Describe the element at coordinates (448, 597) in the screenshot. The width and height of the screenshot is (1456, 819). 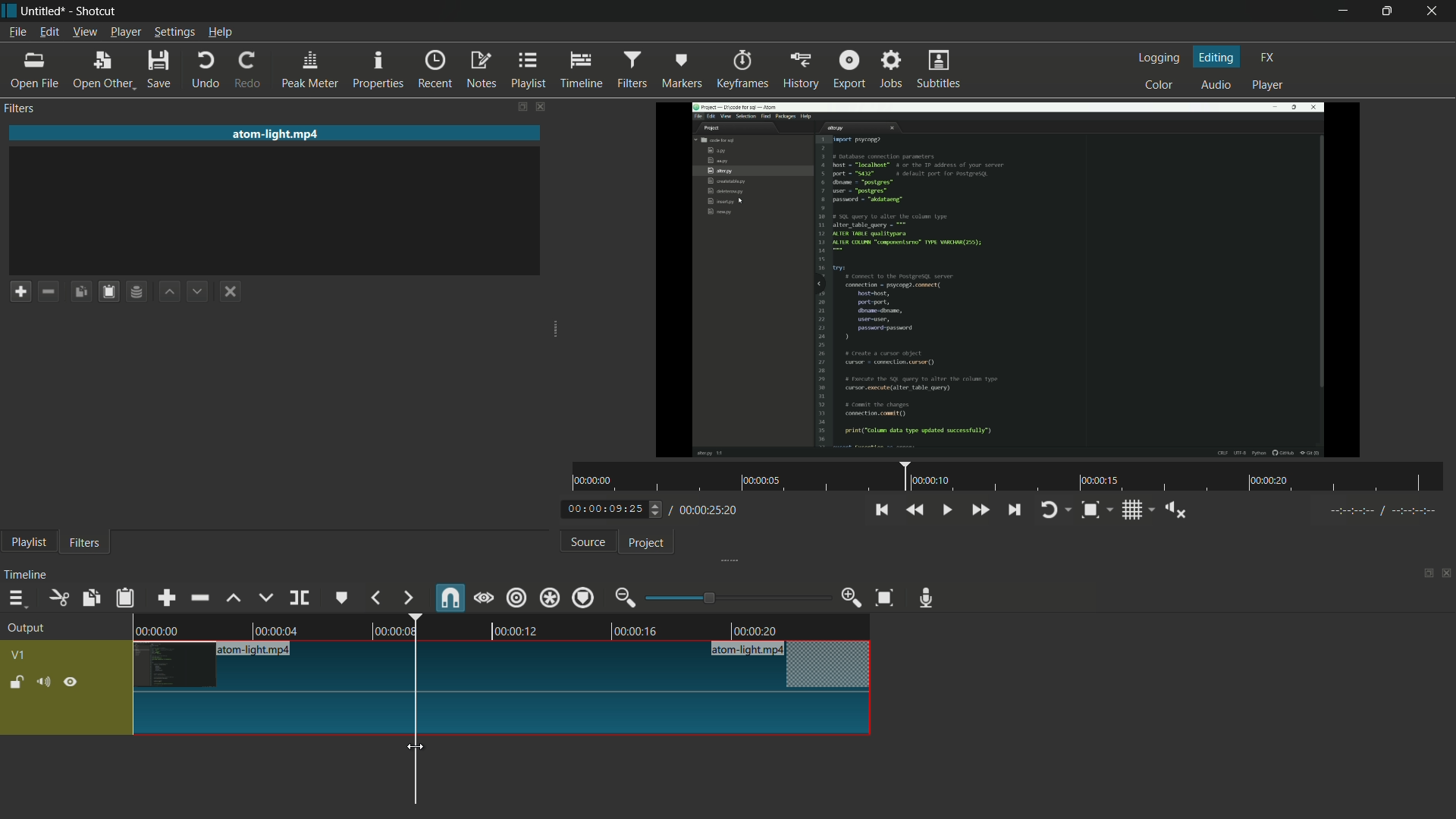
I see `snap` at that location.